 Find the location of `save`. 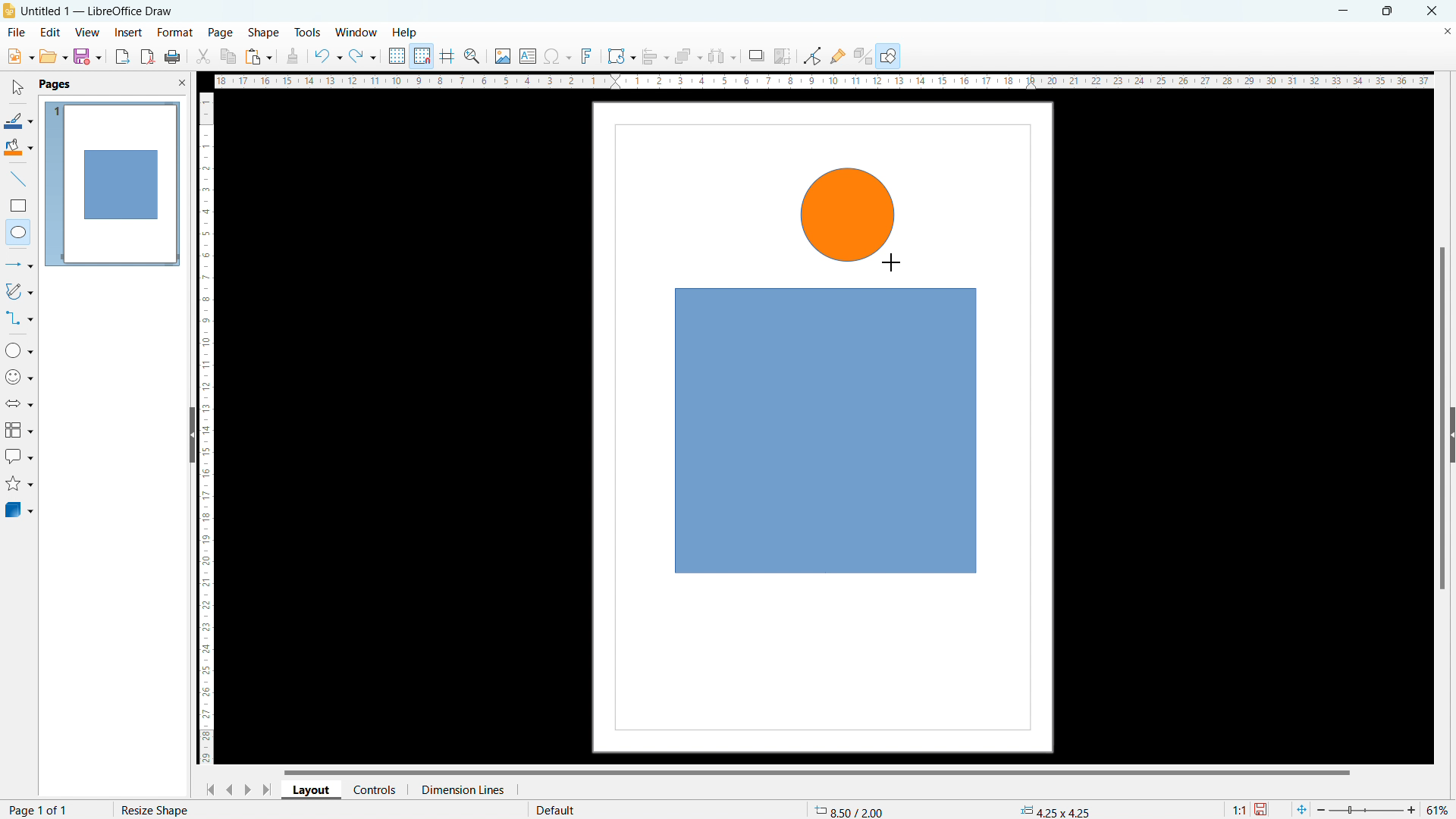

save is located at coordinates (87, 56).